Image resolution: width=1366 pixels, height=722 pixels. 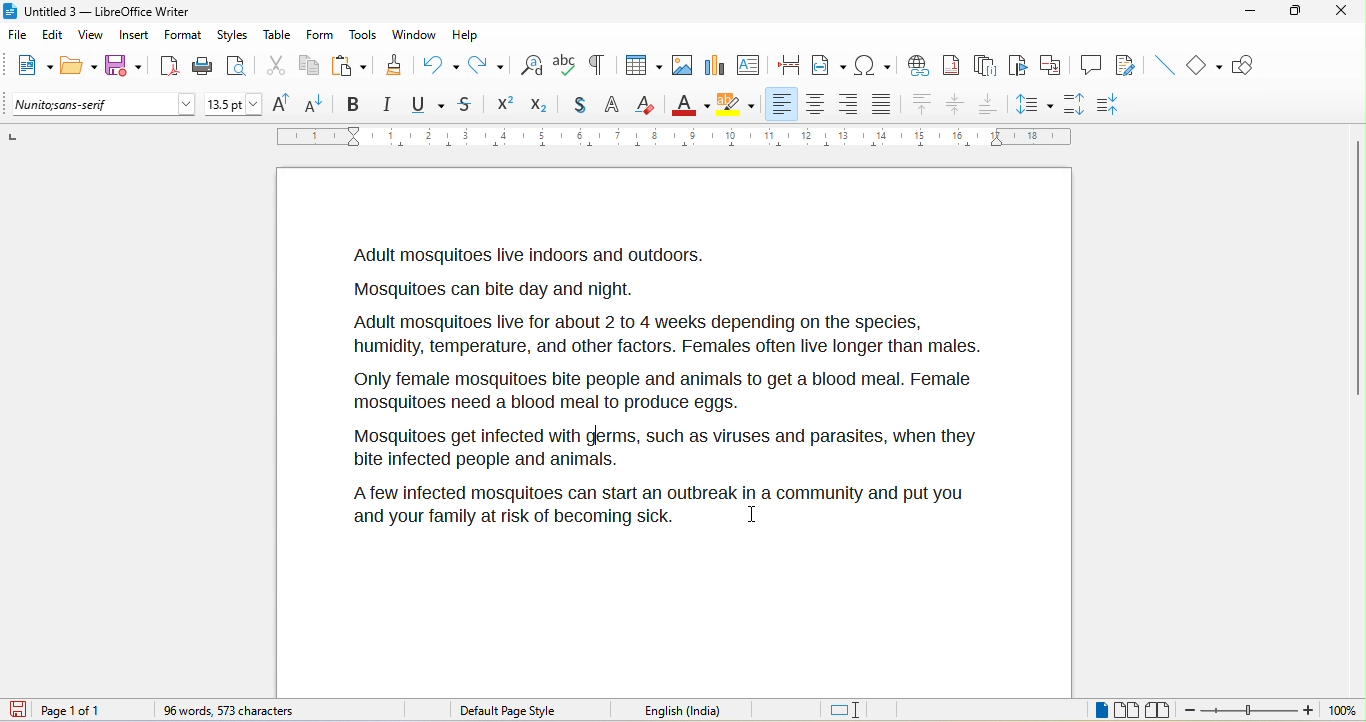 What do you see at coordinates (873, 65) in the screenshot?
I see `special character` at bounding box center [873, 65].